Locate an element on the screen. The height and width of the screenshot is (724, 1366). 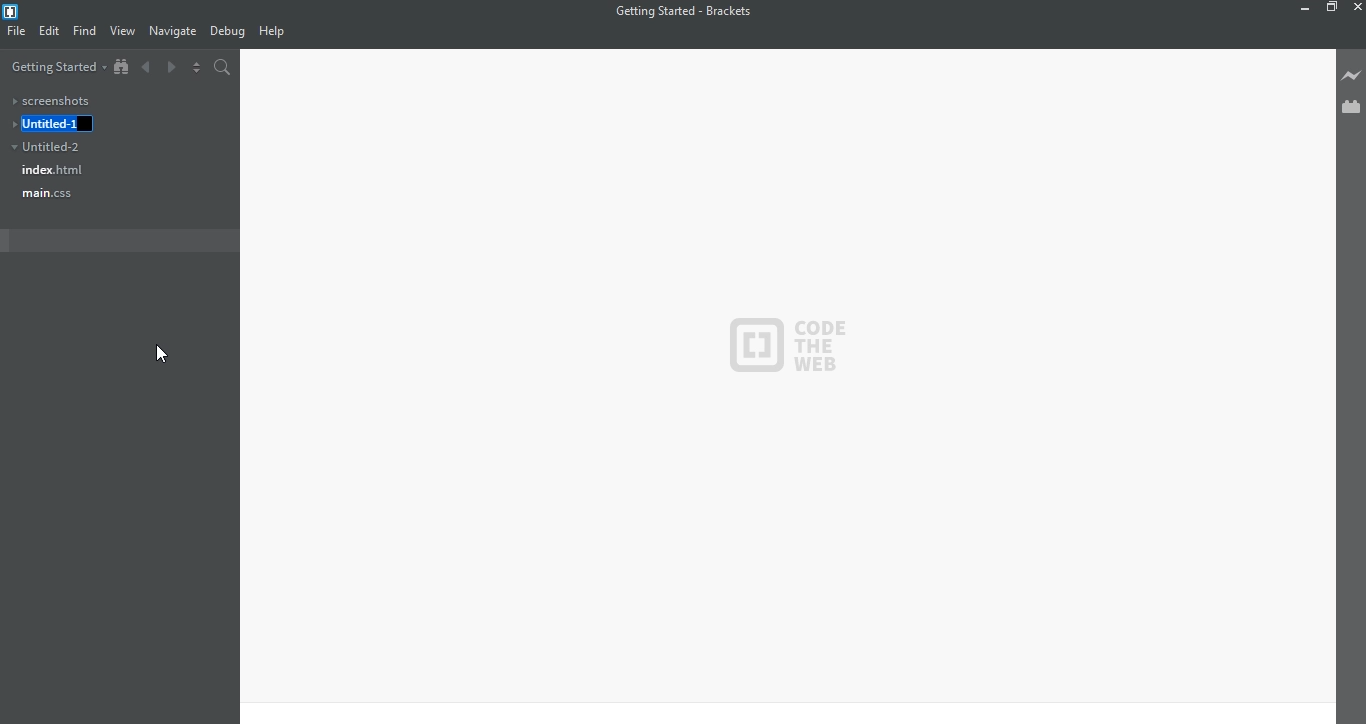
getting started - brackets is located at coordinates (687, 11).